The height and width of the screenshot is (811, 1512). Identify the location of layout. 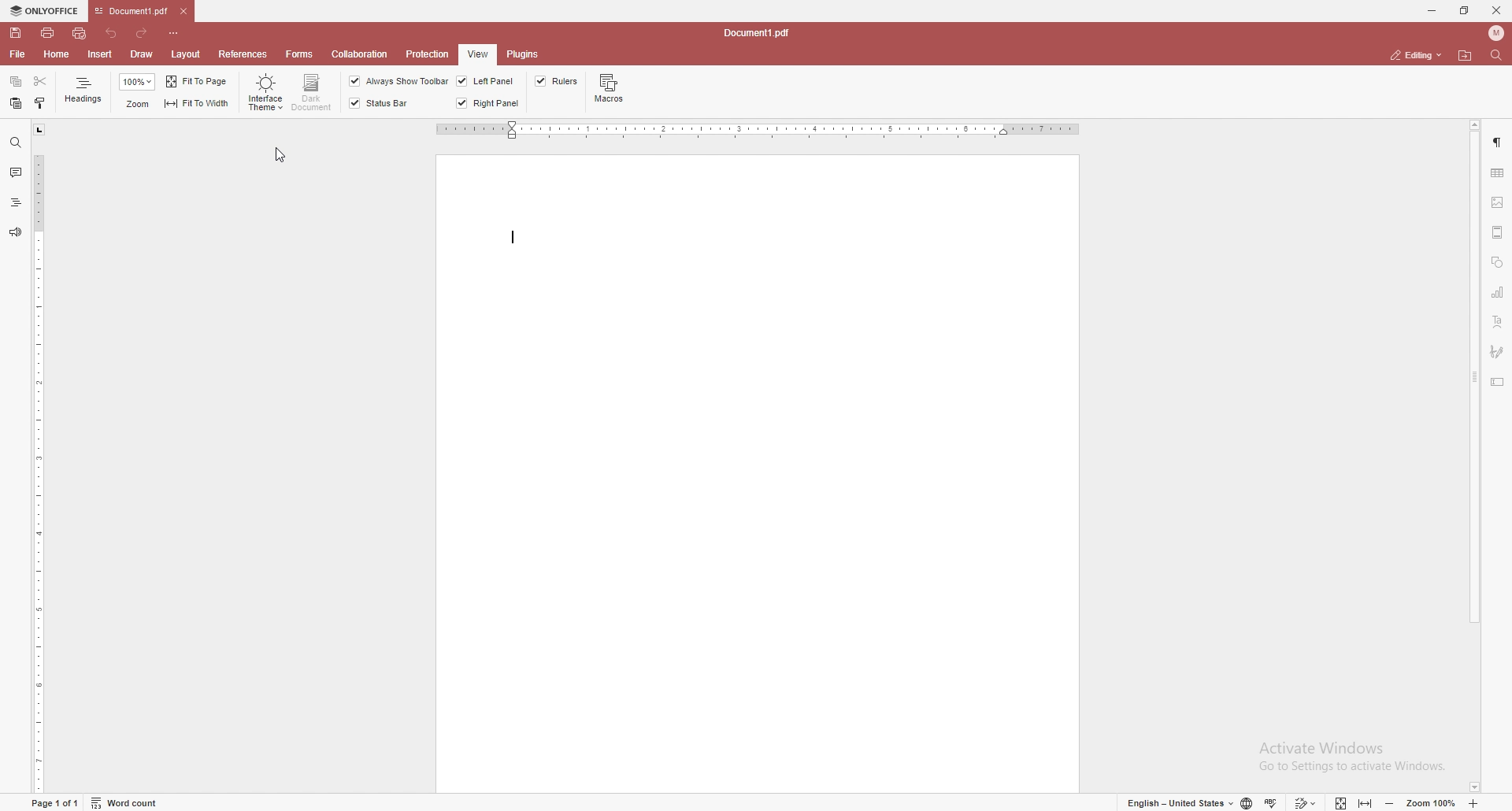
(187, 56).